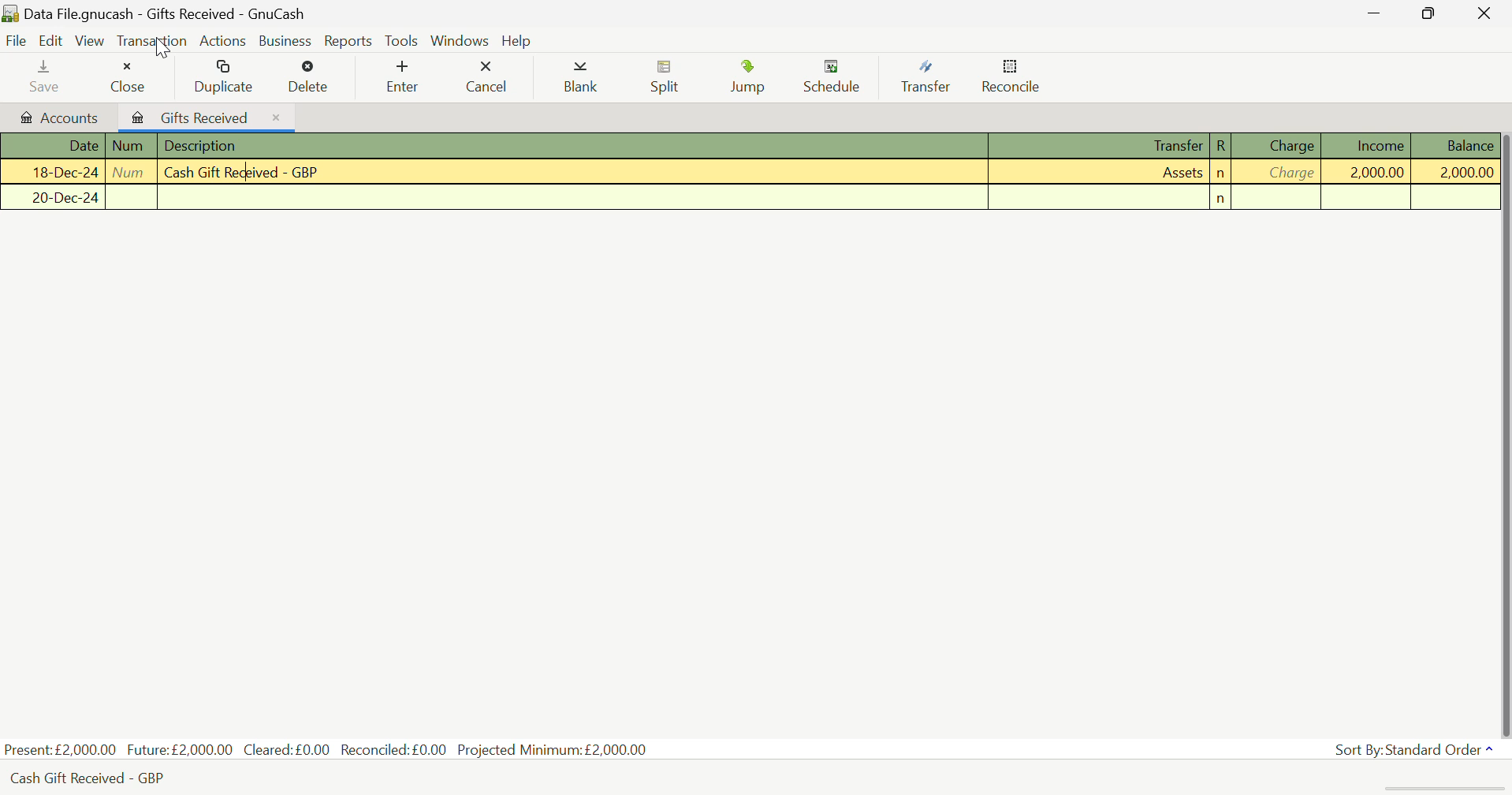  What do you see at coordinates (1279, 198) in the screenshot?
I see `Charge` at bounding box center [1279, 198].